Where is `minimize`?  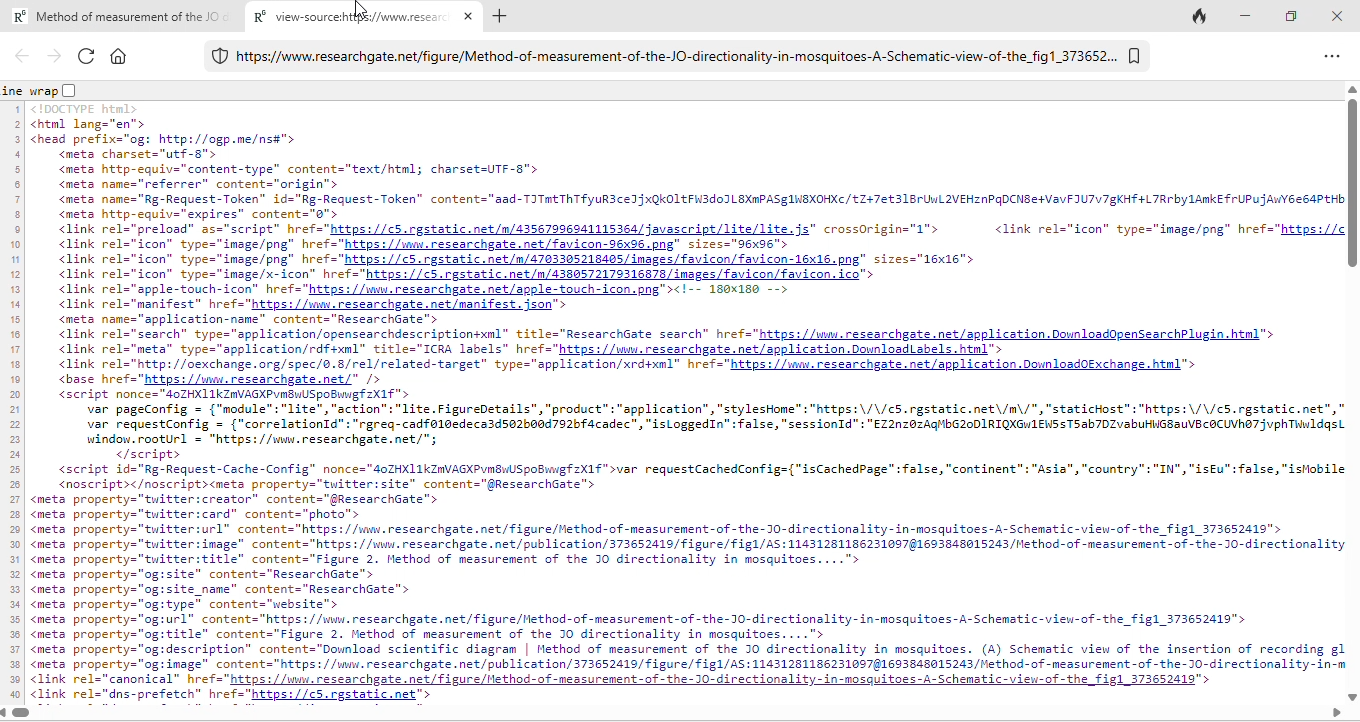 minimize is located at coordinates (1244, 14).